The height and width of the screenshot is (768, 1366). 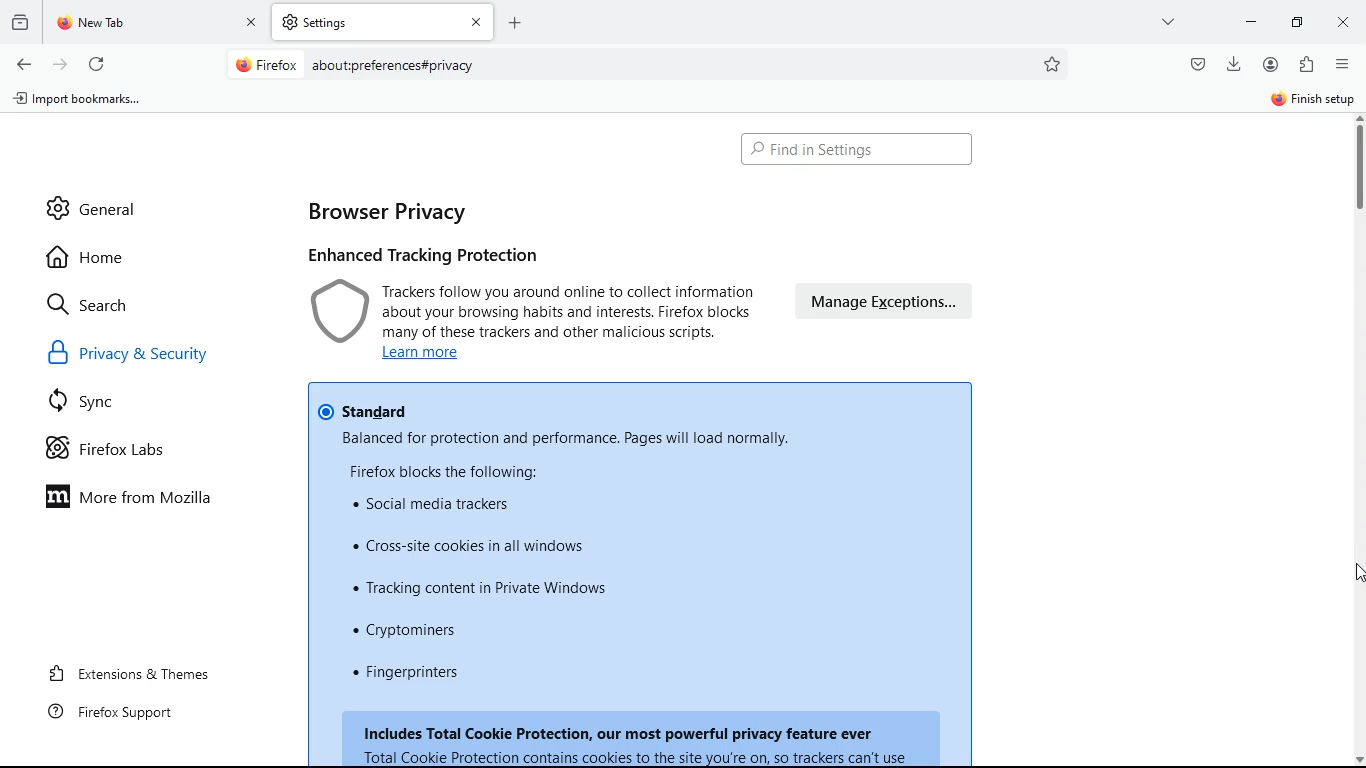 What do you see at coordinates (1311, 101) in the screenshot?
I see `sign in` at bounding box center [1311, 101].